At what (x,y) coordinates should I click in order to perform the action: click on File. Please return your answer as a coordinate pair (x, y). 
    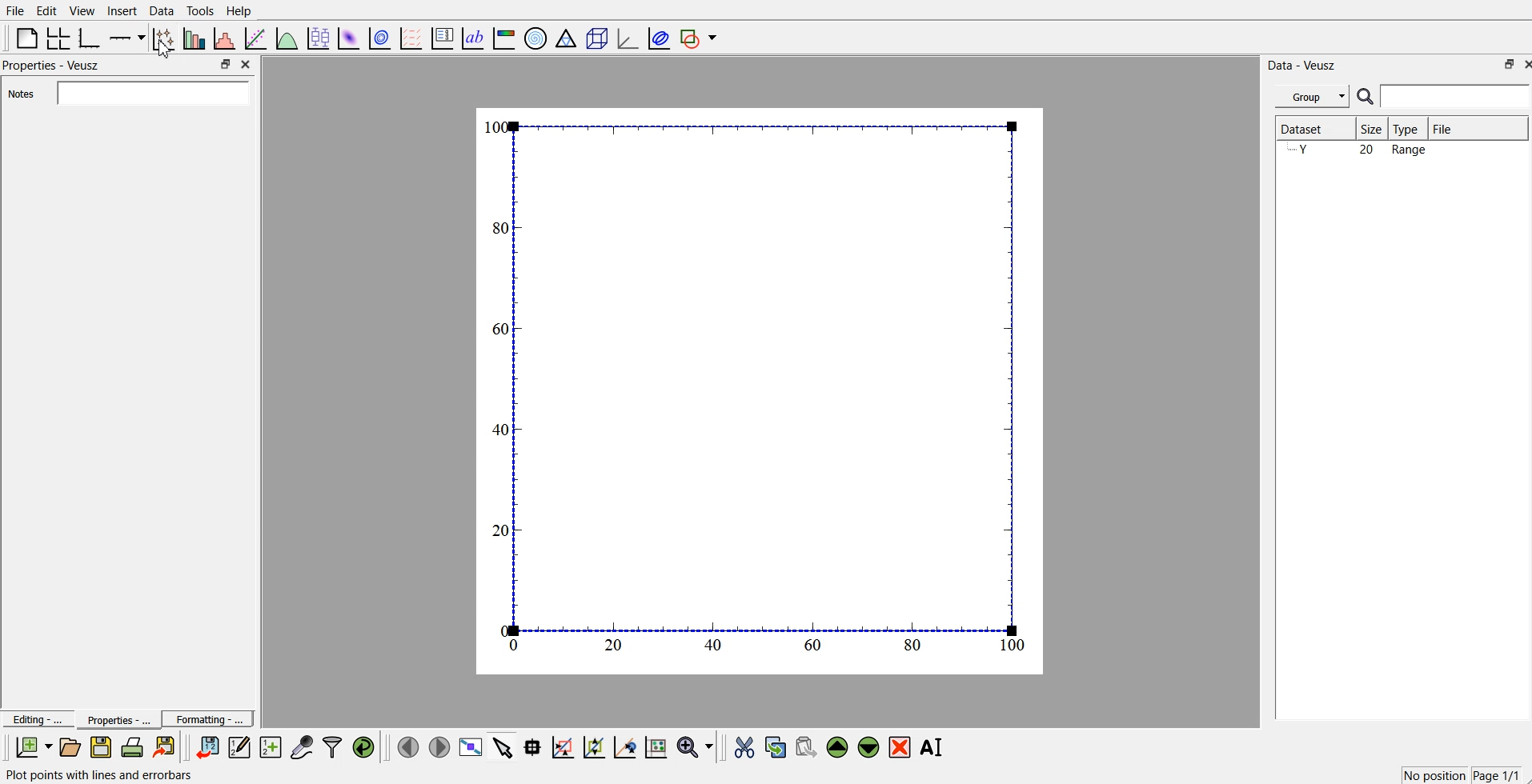
    Looking at the image, I should click on (15, 11).